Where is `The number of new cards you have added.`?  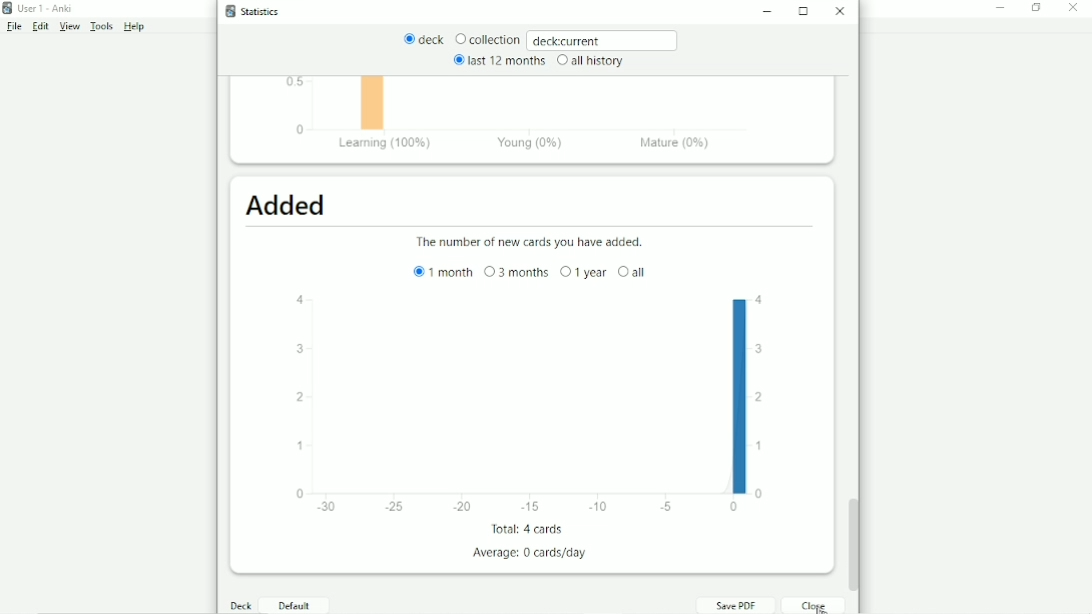
The number of new cards you have added. is located at coordinates (534, 240).